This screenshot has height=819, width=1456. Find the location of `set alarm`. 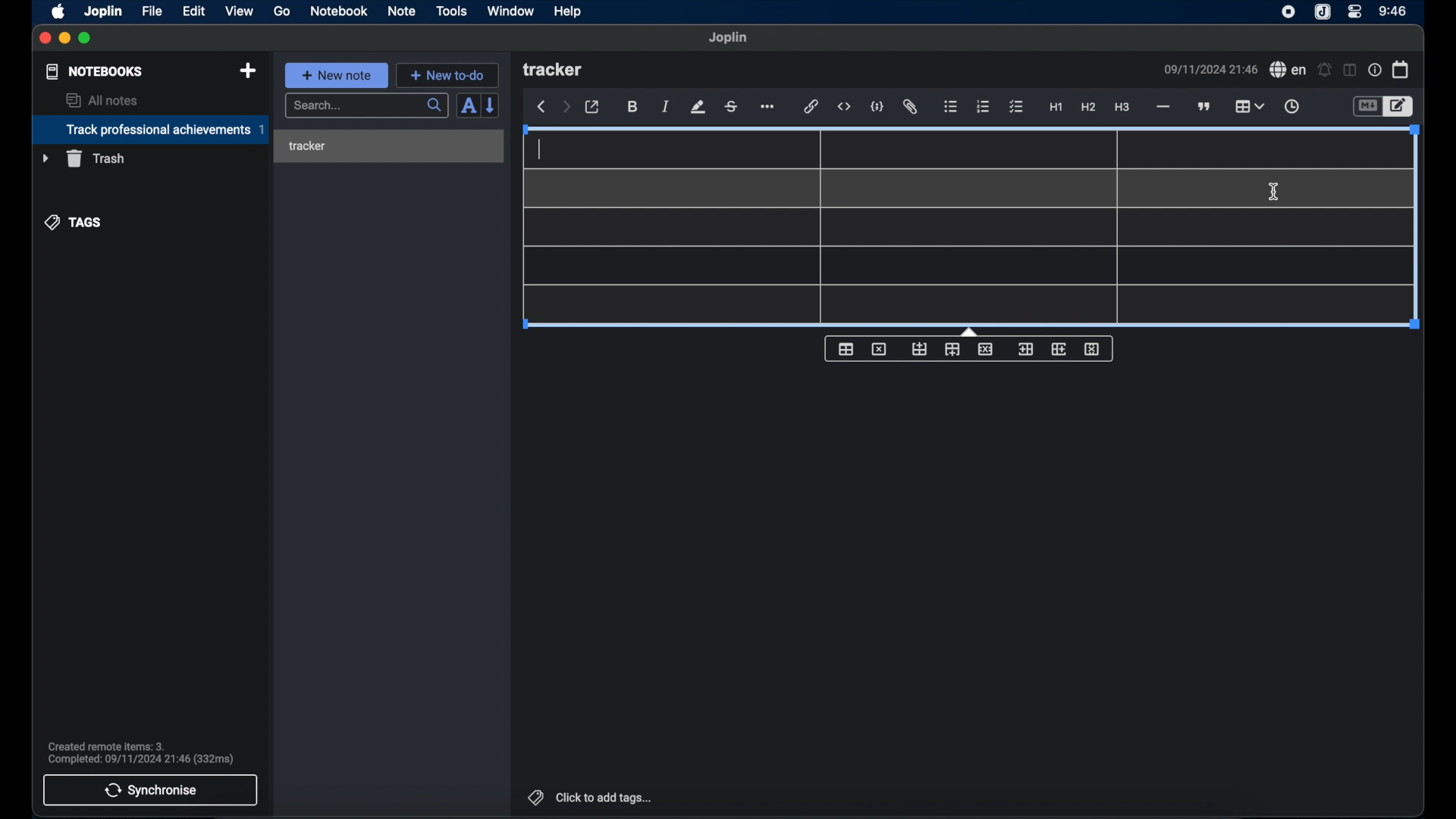

set alarm is located at coordinates (1324, 69).